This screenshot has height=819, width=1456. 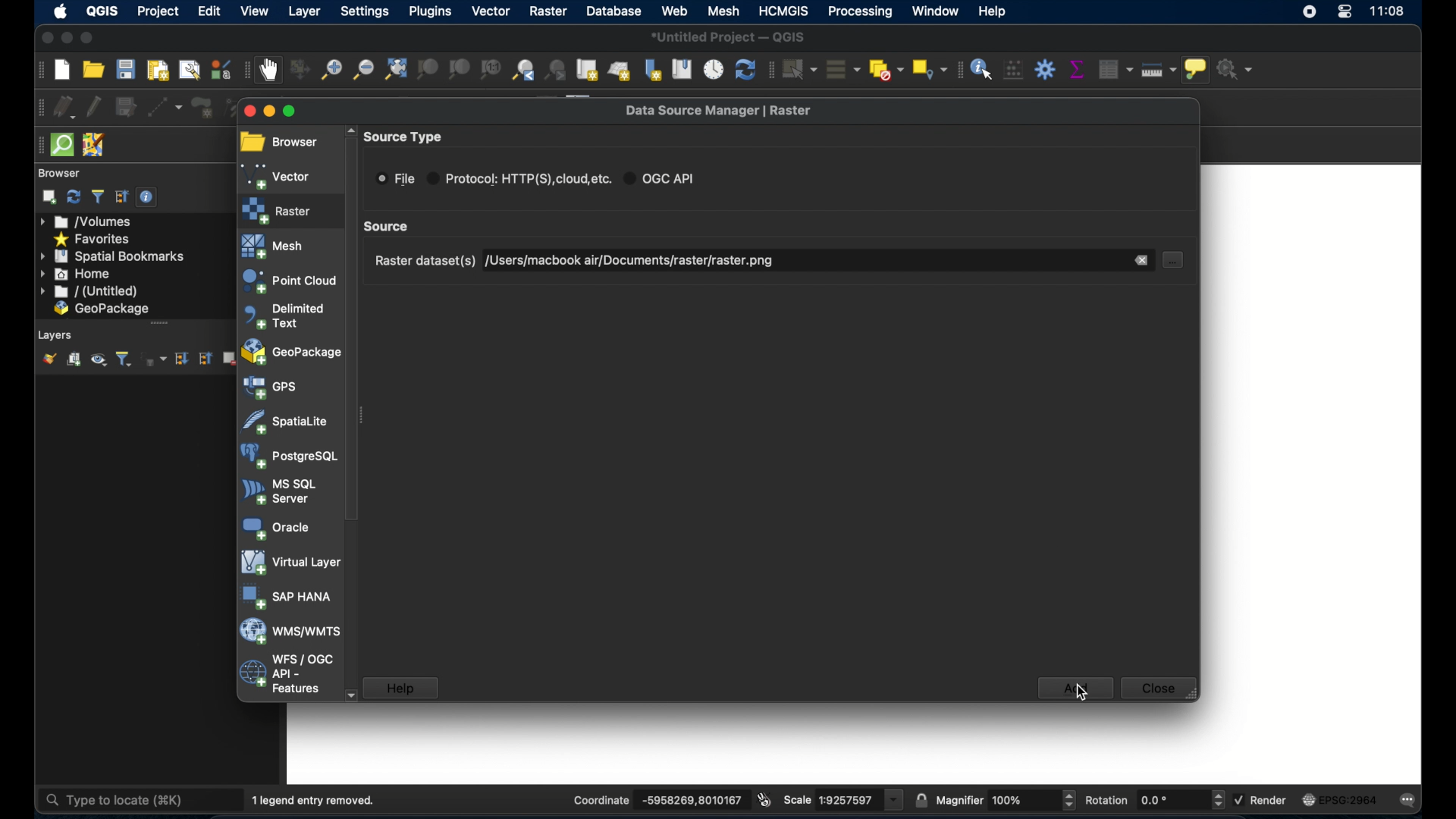 What do you see at coordinates (588, 70) in the screenshot?
I see `new map view` at bounding box center [588, 70].